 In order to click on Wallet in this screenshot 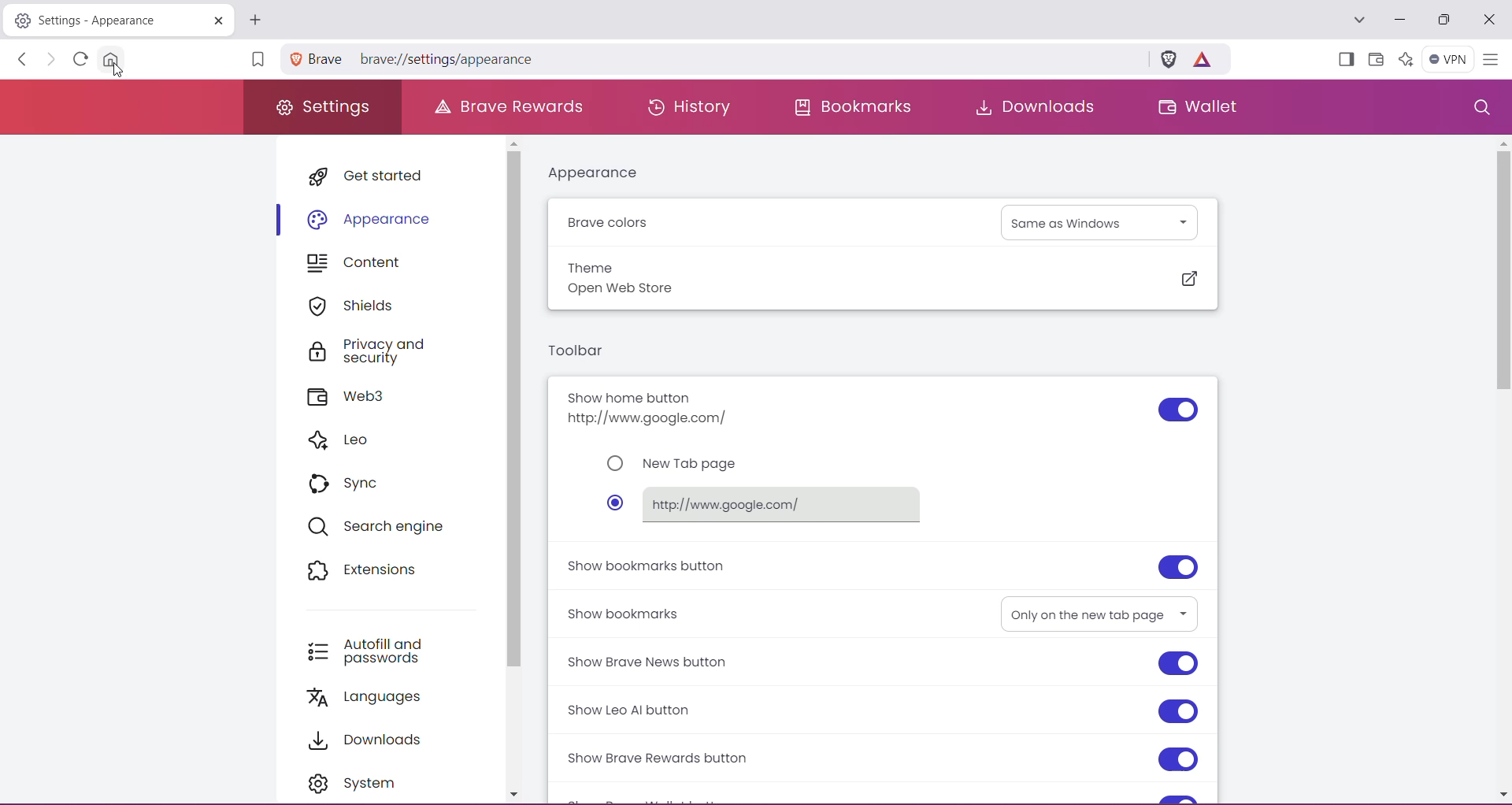, I will do `click(1375, 60)`.